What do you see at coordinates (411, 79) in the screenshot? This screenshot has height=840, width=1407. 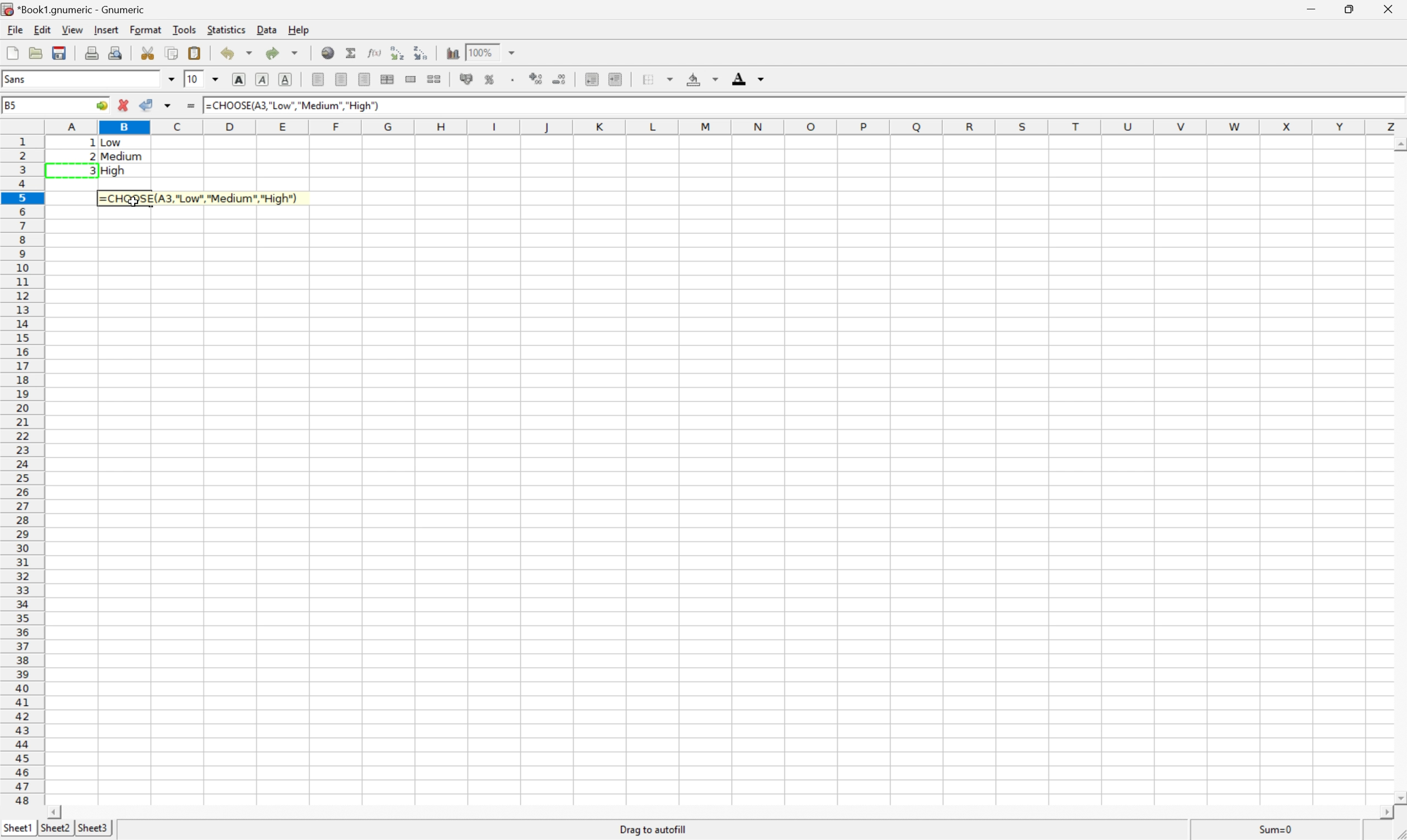 I see `Merge a range of cells` at bounding box center [411, 79].